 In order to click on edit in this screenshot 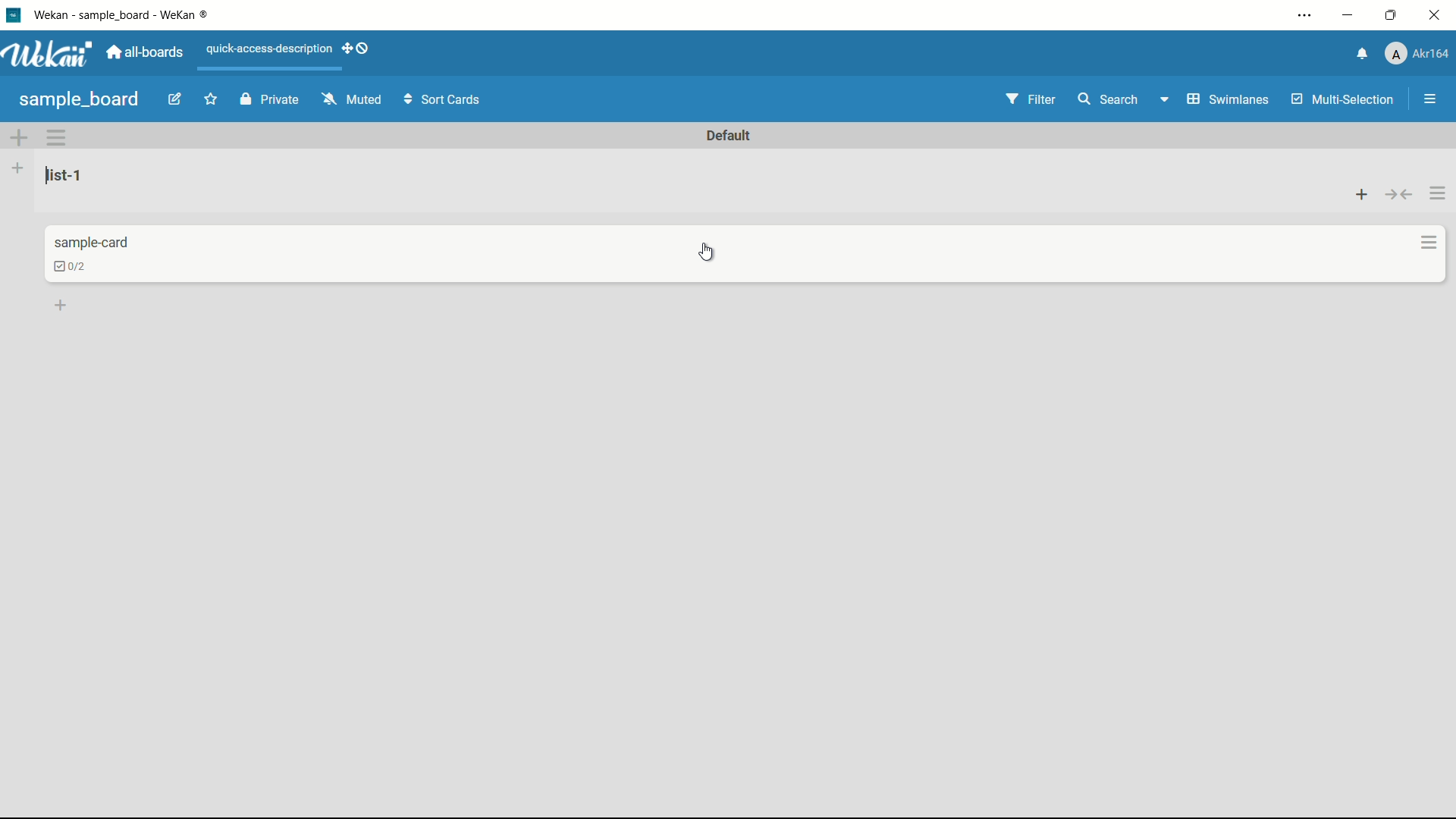, I will do `click(177, 101)`.